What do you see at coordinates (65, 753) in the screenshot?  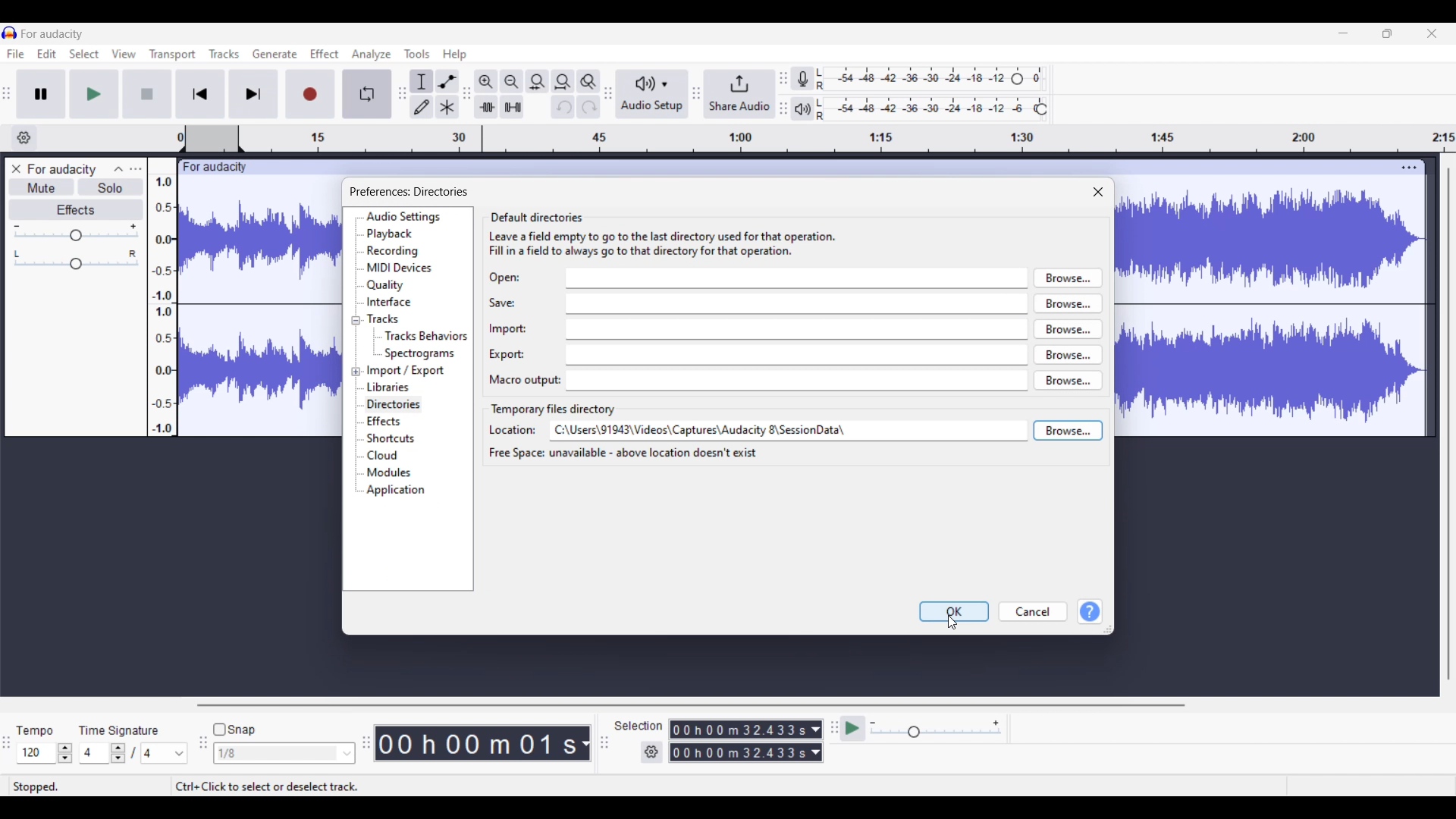 I see `Increase/Decrease Tempo` at bounding box center [65, 753].